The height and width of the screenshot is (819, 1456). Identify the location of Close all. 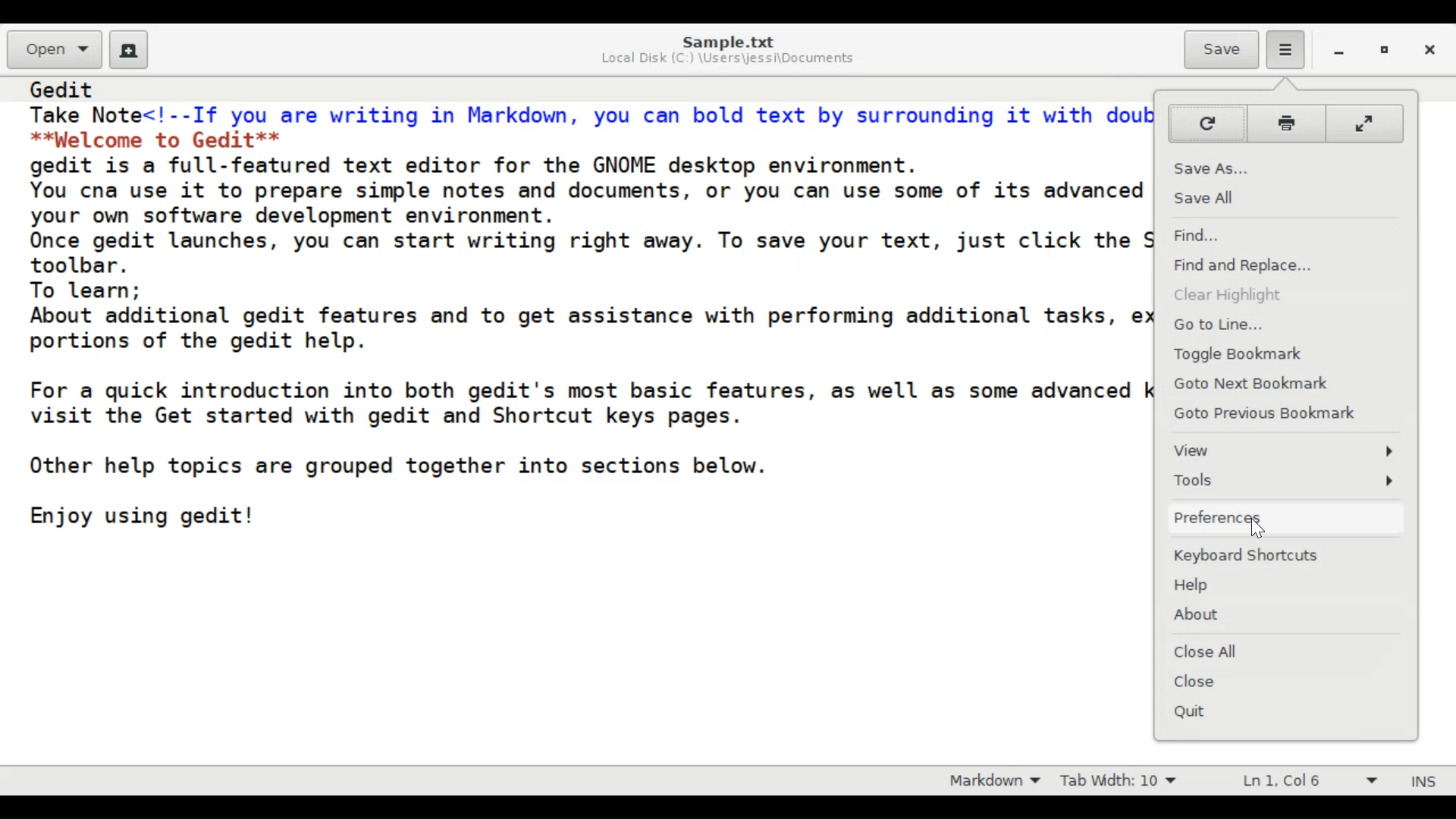
(1213, 651).